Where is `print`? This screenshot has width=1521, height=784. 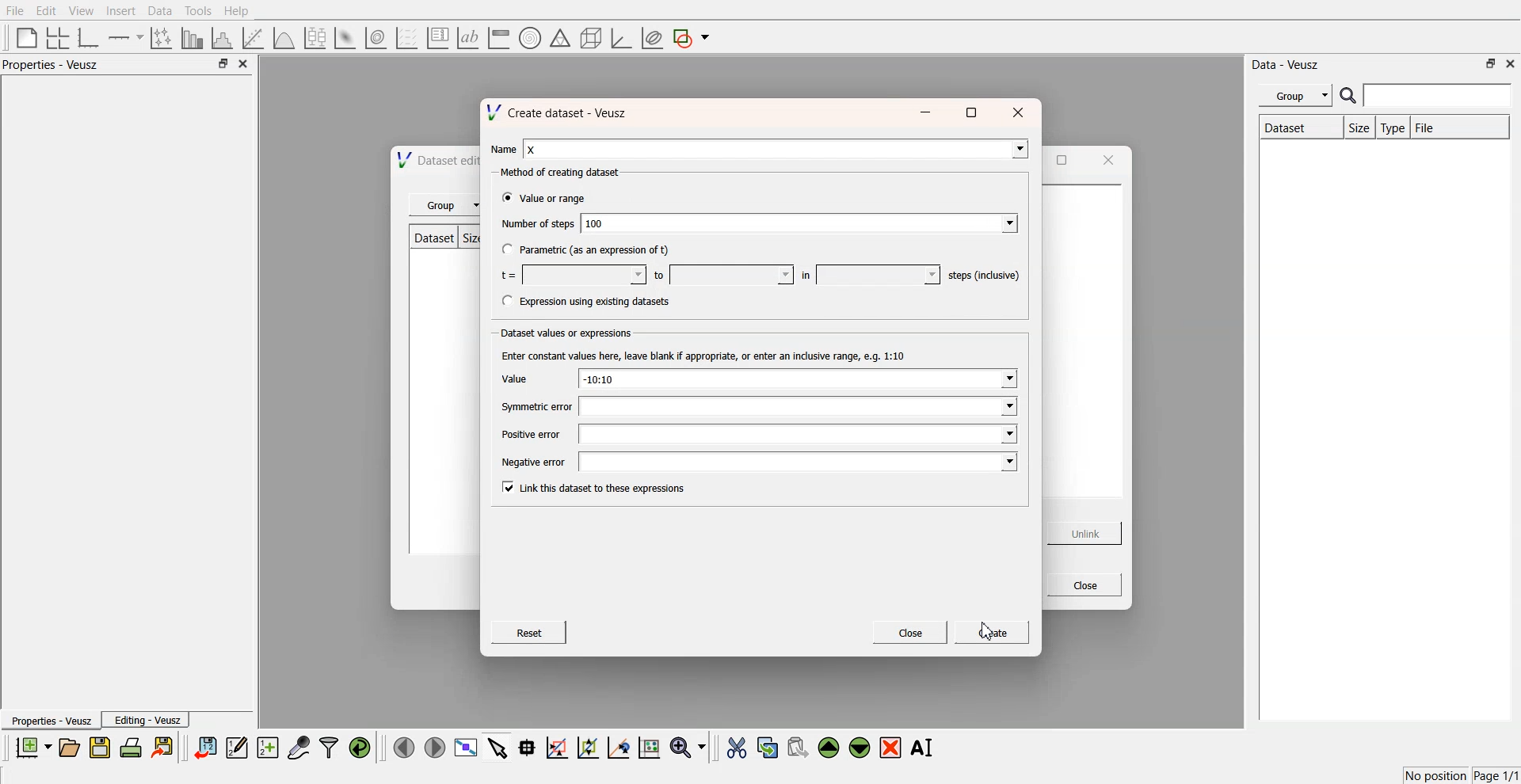 print is located at coordinates (135, 747).